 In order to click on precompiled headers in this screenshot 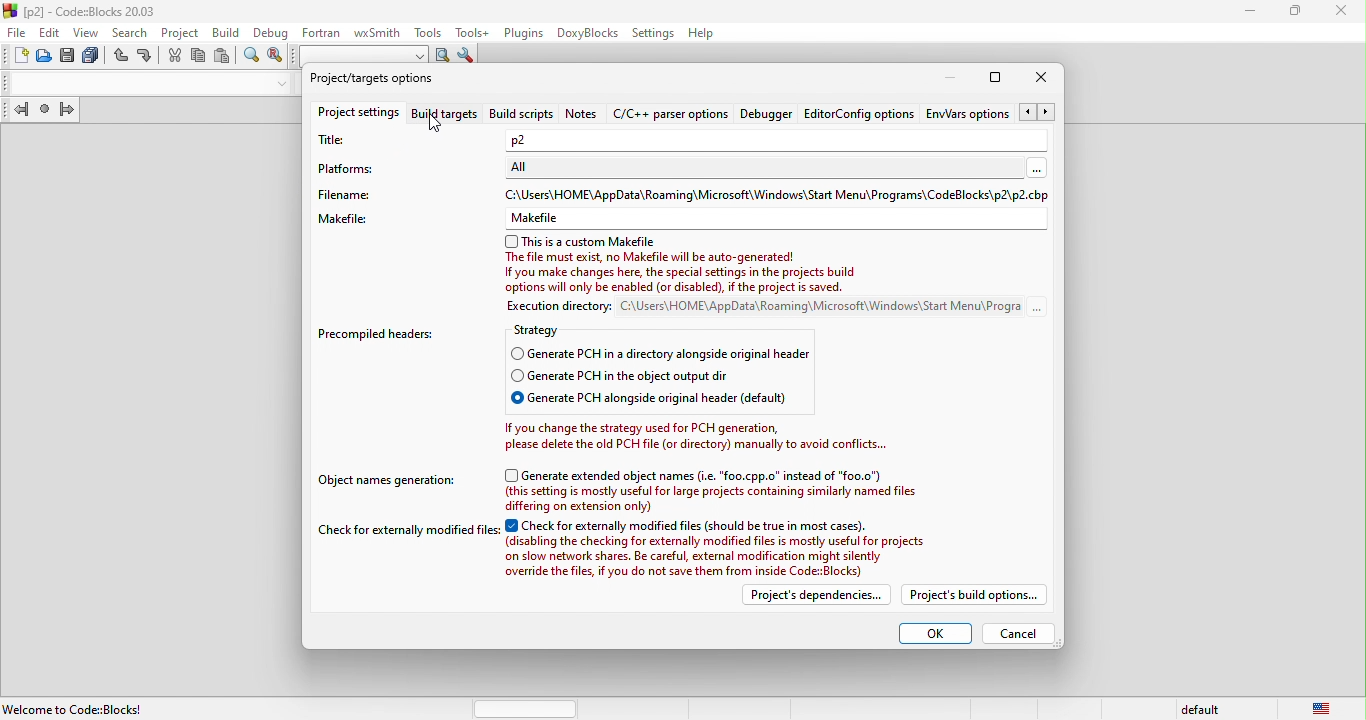, I will do `click(386, 337)`.